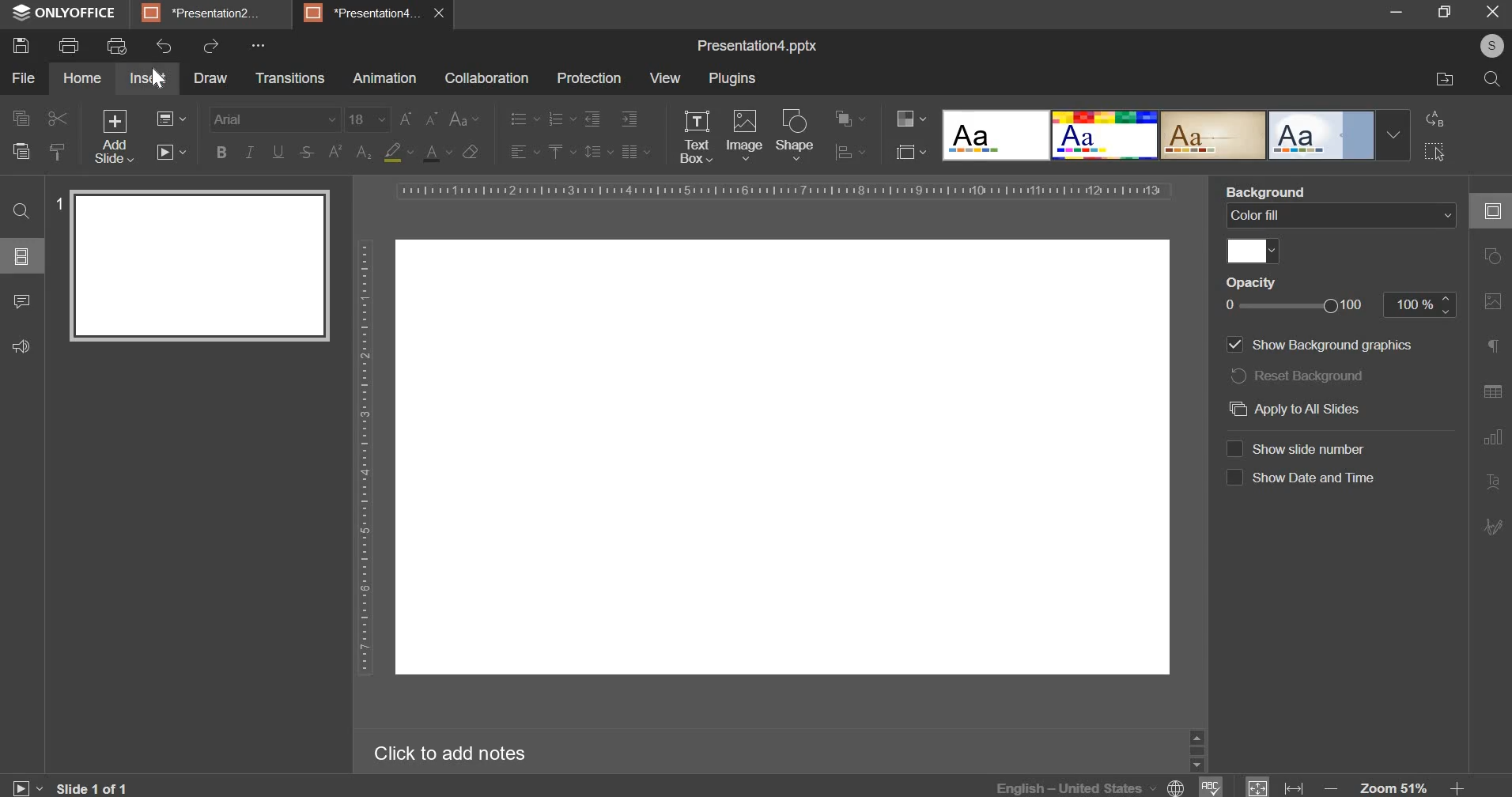 Image resolution: width=1512 pixels, height=797 pixels. What do you see at coordinates (1496, 392) in the screenshot?
I see `table settings` at bounding box center [1496, 392].